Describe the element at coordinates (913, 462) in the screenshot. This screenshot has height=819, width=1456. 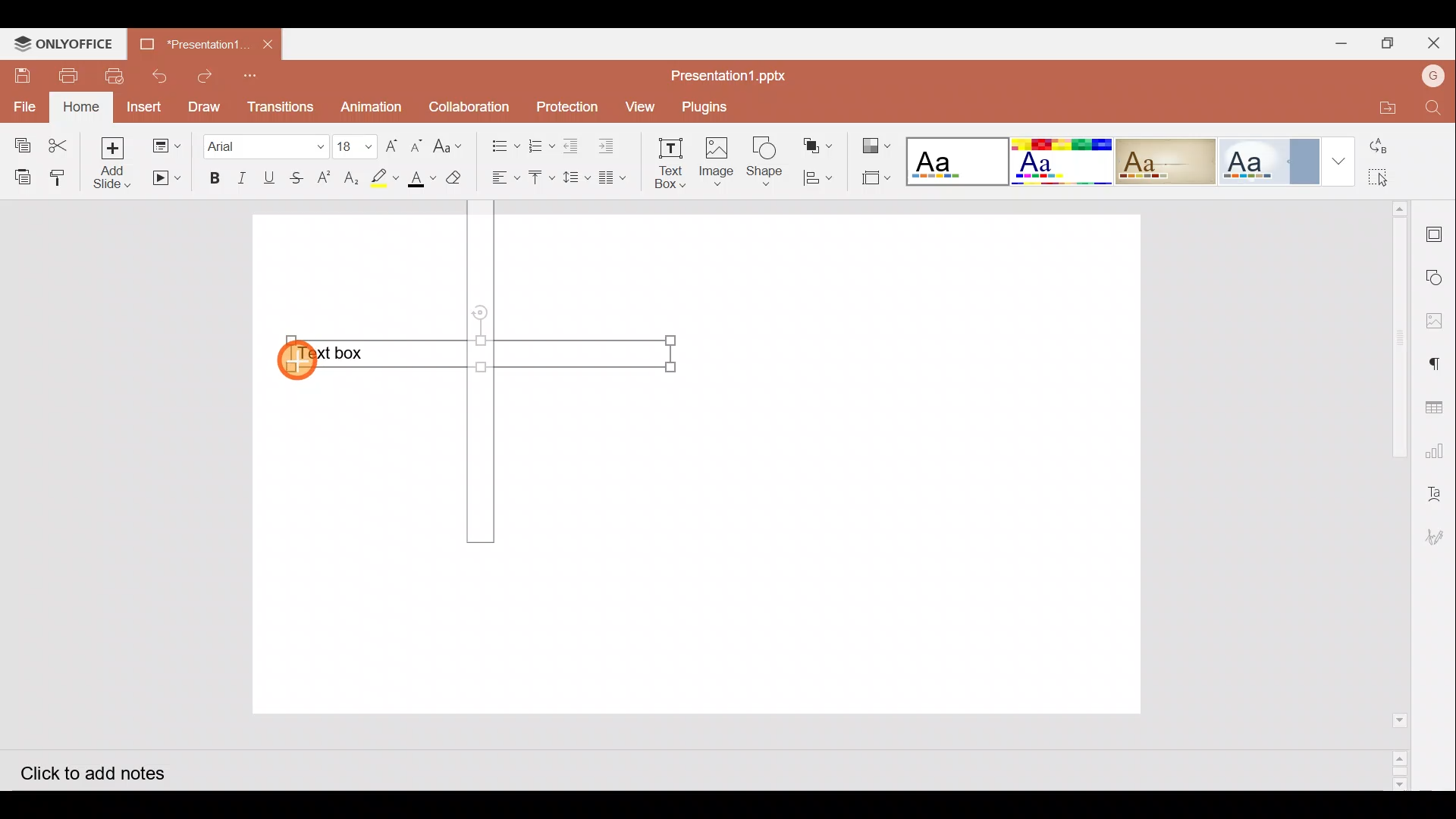
I see `Presentation slide` at that location.